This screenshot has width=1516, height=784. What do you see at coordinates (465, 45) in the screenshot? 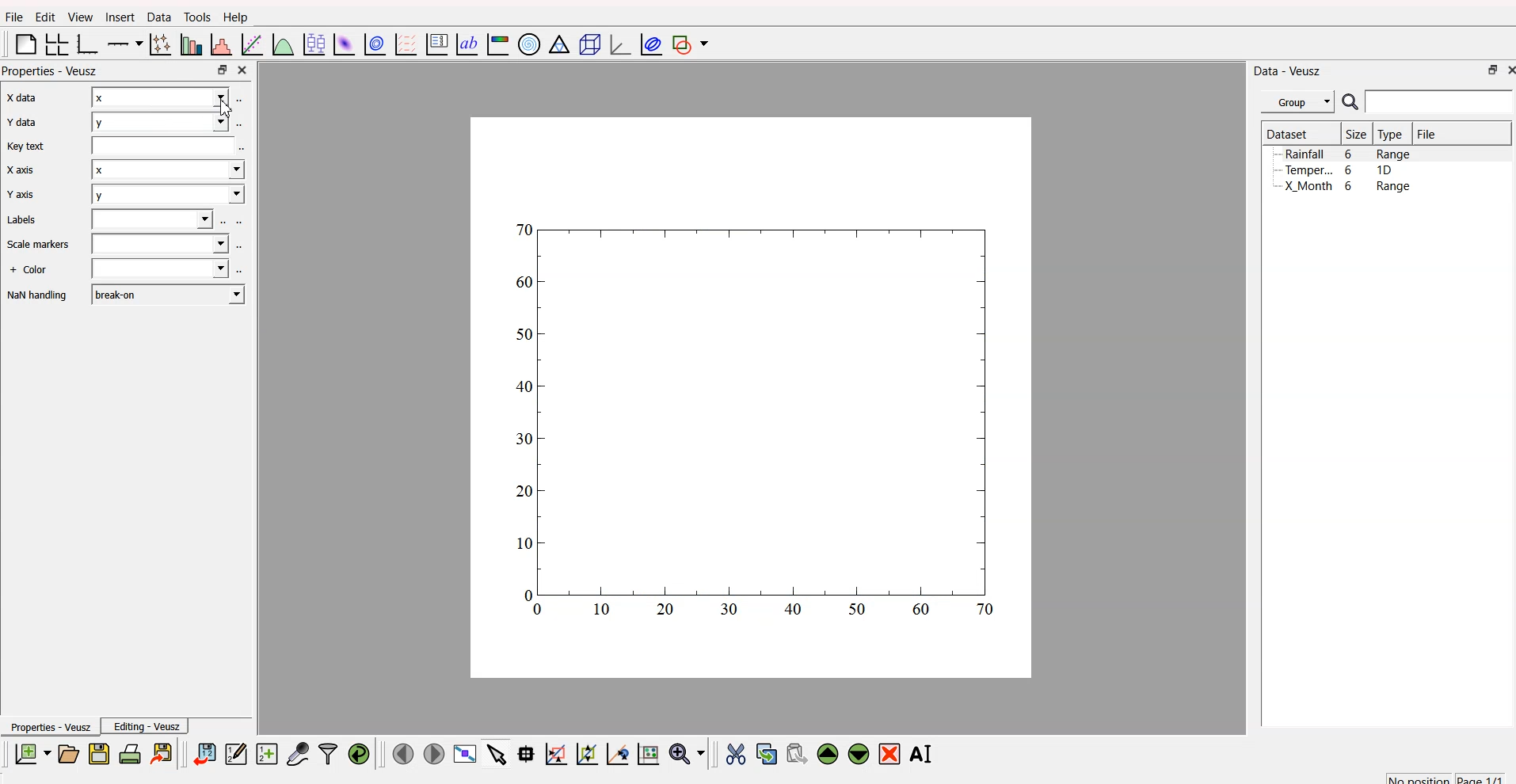
I see `text label` at bounding box center [465, 45].